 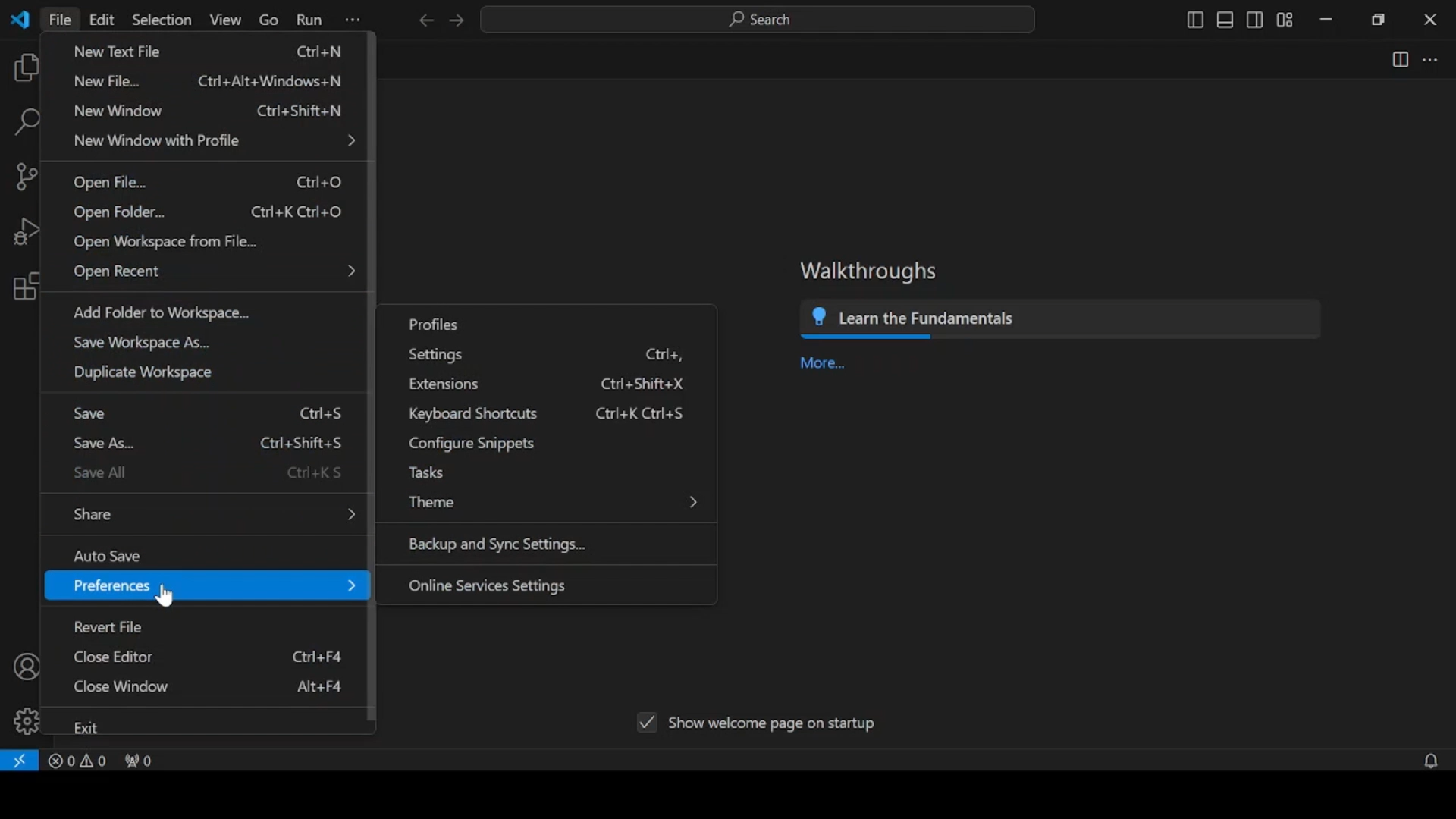 I want to click on no notifications, so click(x=1430, y=758).